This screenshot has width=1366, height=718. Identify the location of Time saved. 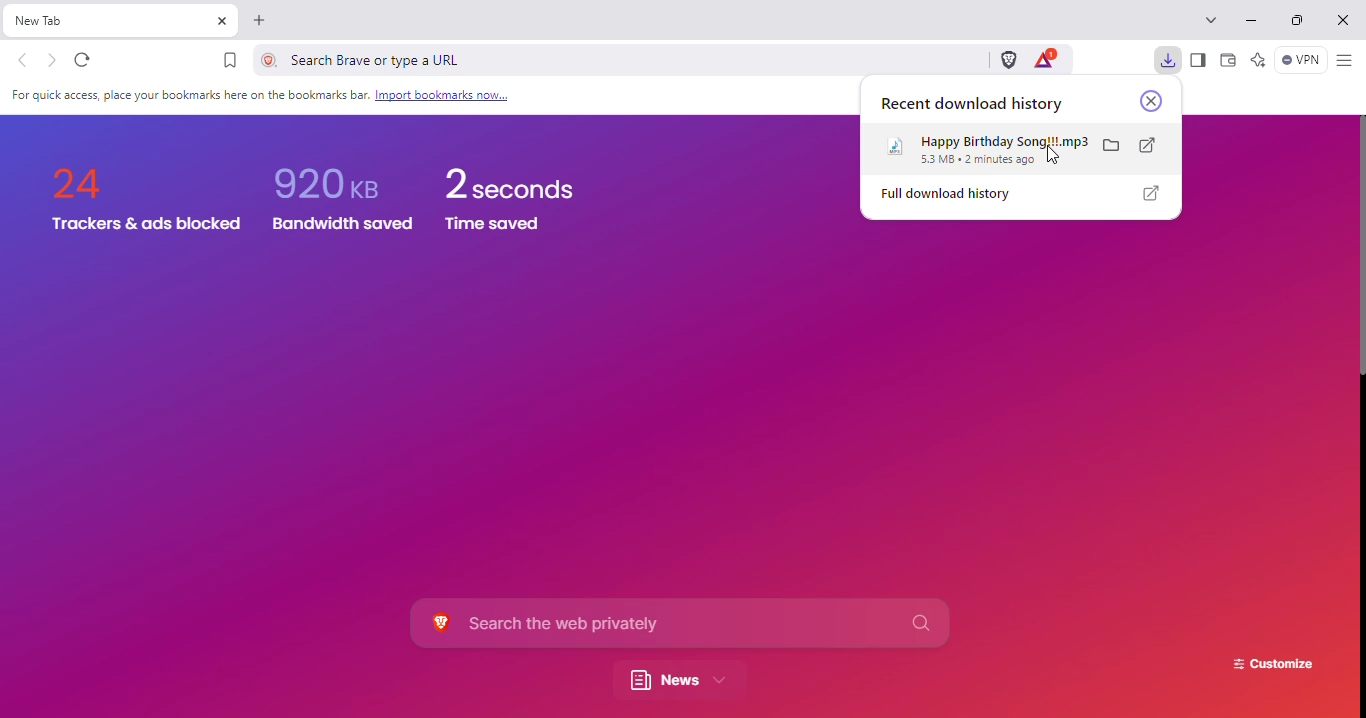
(495, 226).